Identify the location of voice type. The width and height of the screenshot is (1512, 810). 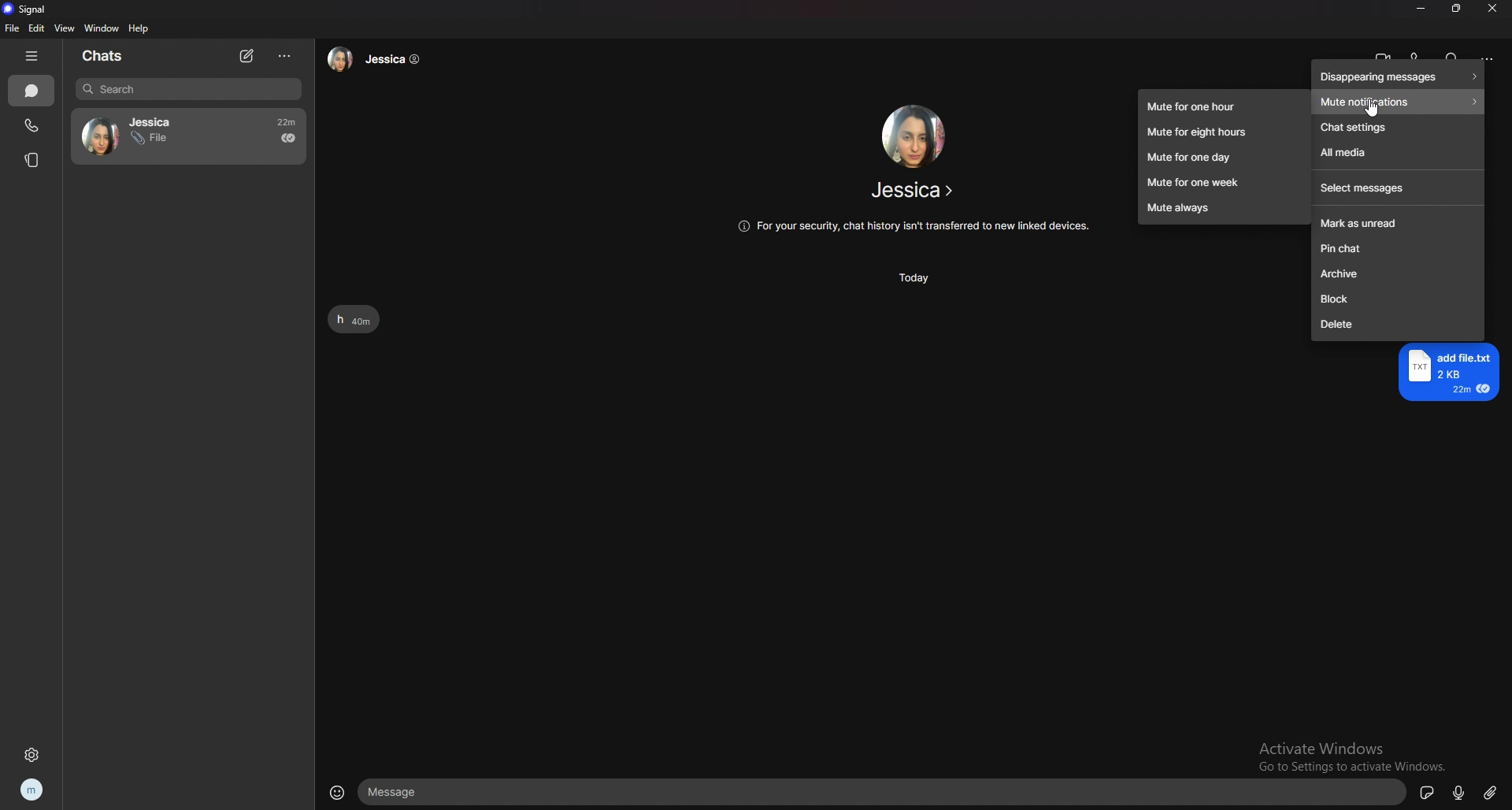
(1462, 791).